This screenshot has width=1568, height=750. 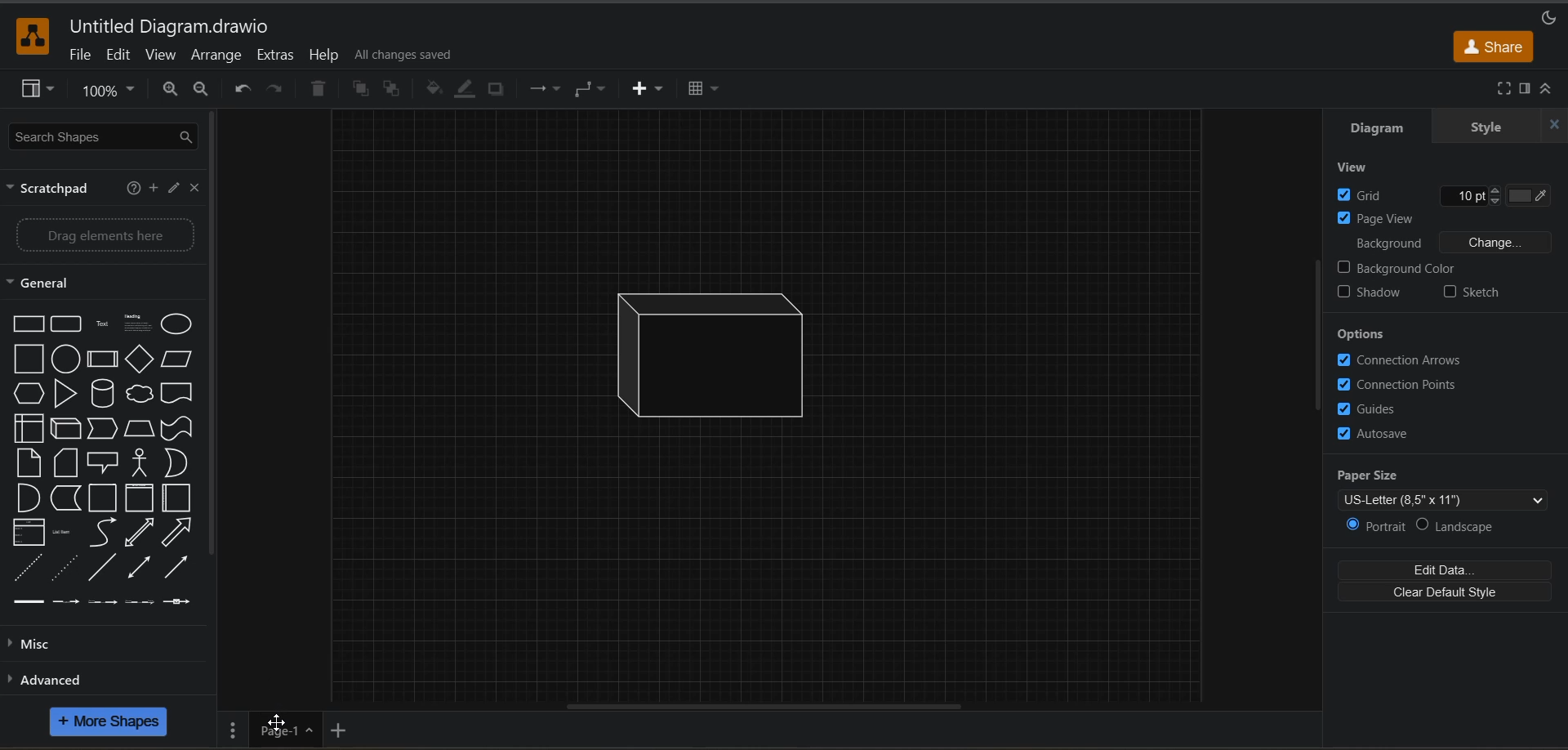 I want to click on share, so click(x=1494, y=47).